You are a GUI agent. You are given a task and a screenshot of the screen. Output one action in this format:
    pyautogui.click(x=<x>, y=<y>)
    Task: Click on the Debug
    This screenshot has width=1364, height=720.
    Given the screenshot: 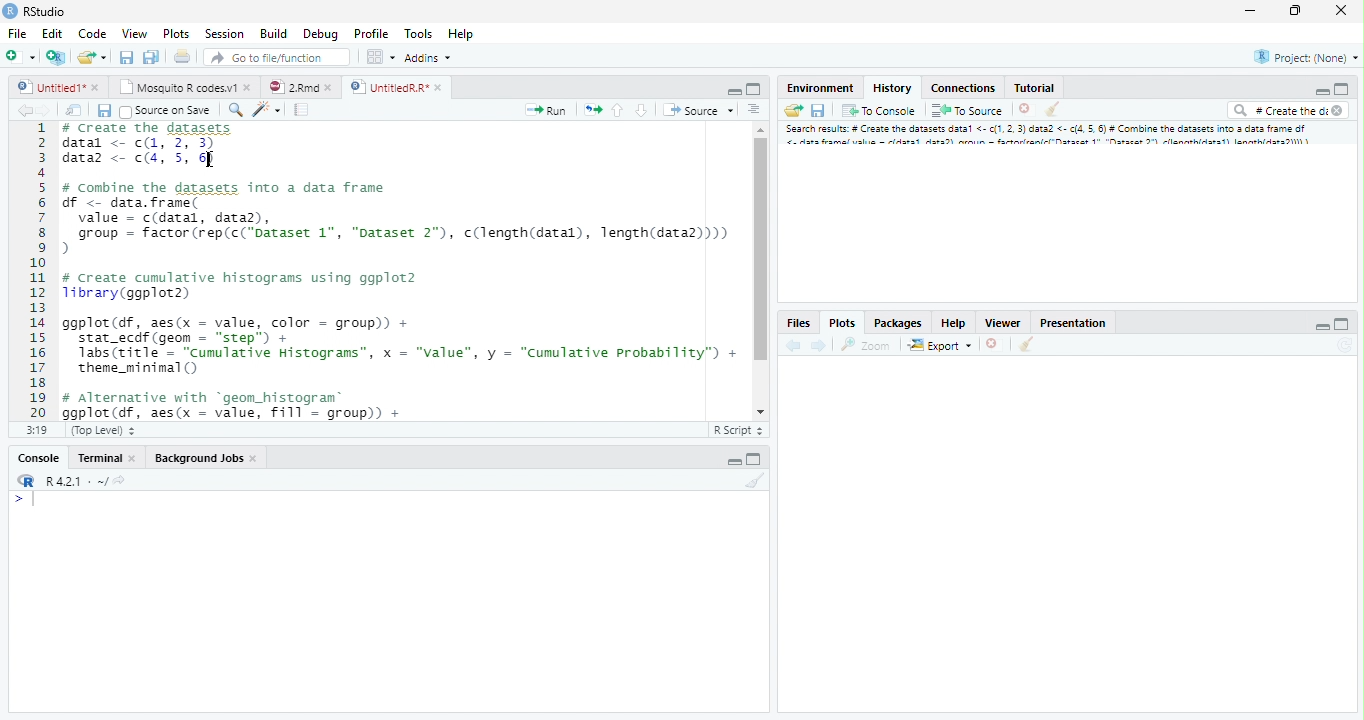 What is the action you would take?
    pyautogui.click(x=348, y=34)
    